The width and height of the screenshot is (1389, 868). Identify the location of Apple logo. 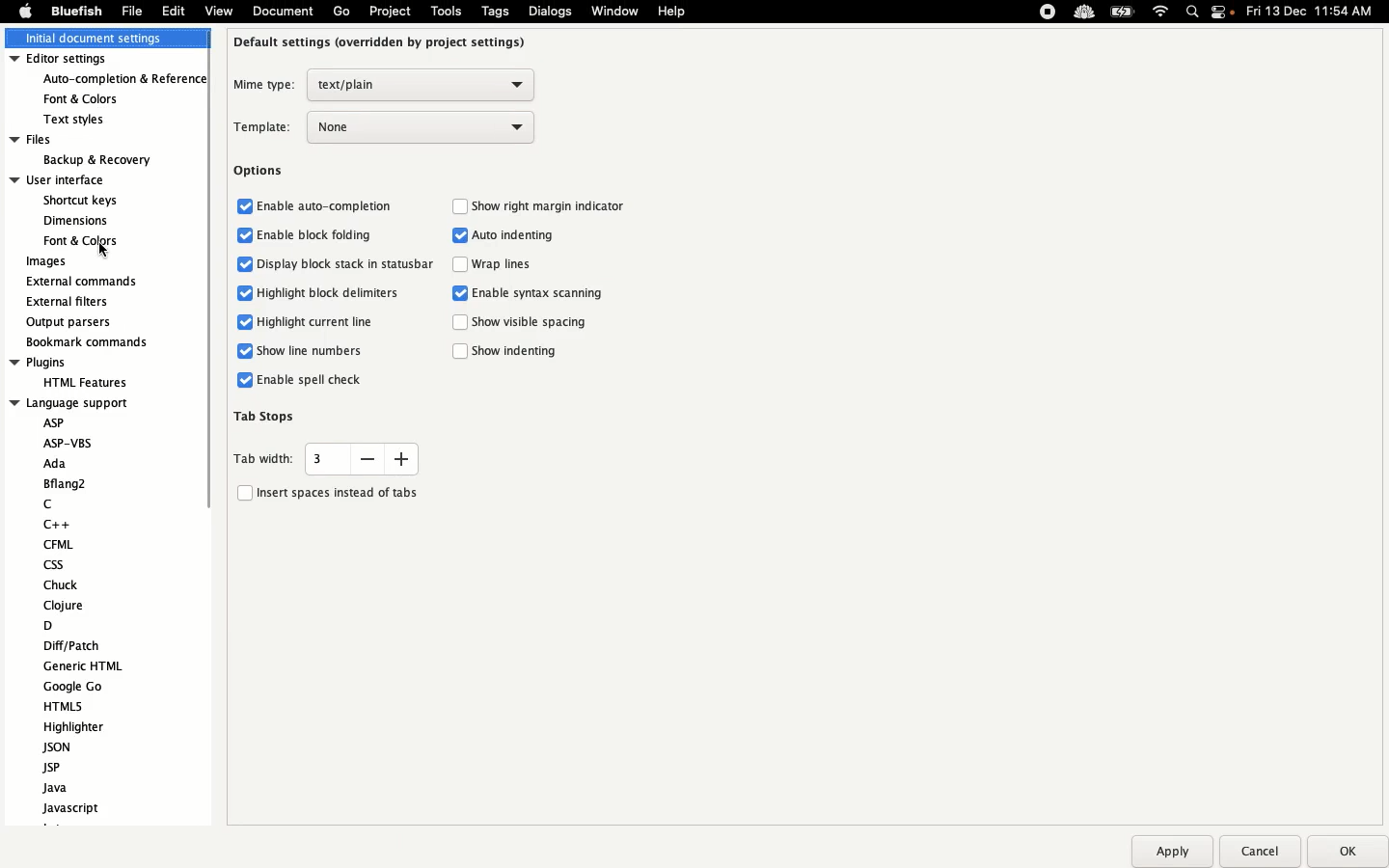
(25, 11).